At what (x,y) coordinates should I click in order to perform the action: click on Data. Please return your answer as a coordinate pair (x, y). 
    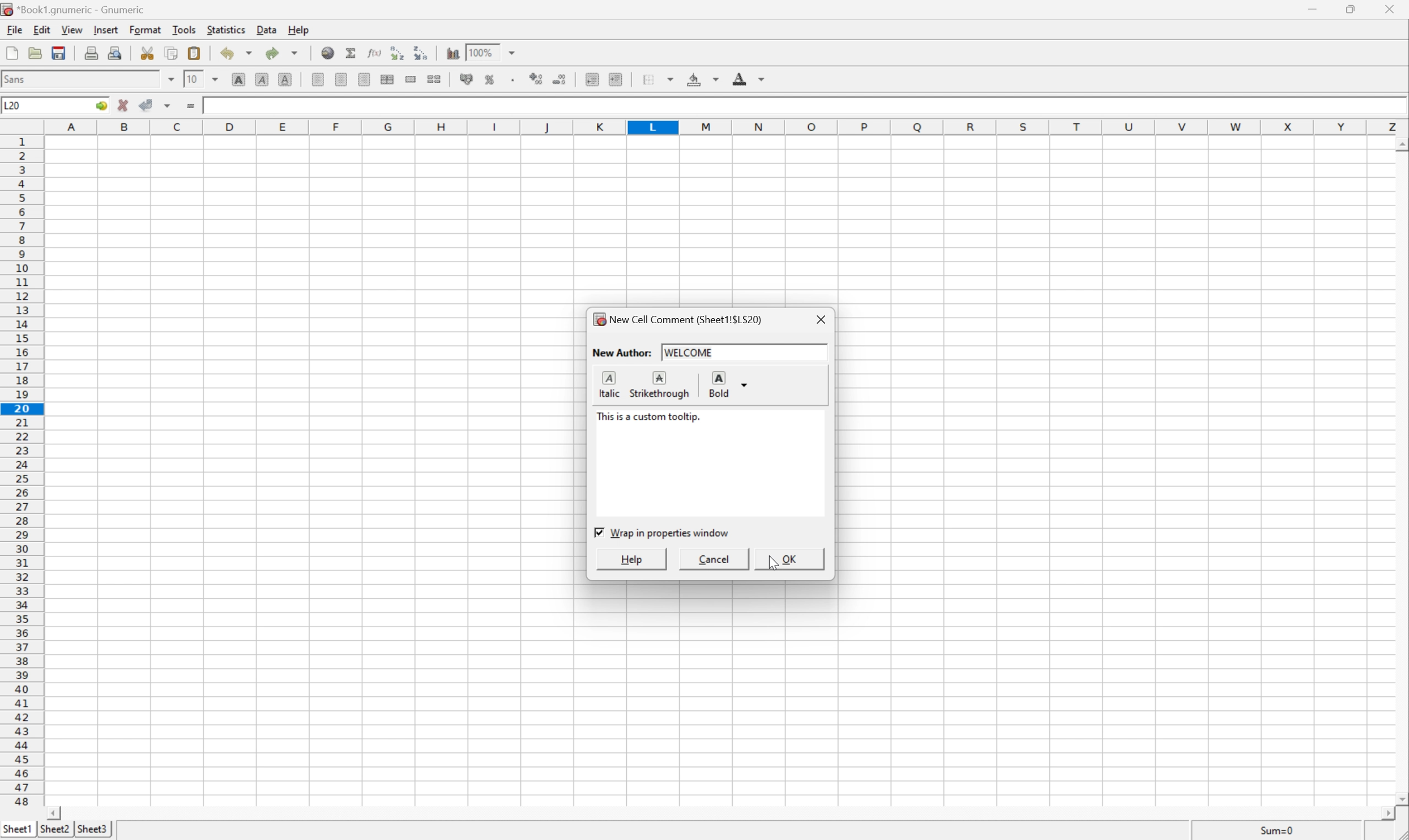
    Looking at the image, I should click on (265, 29).